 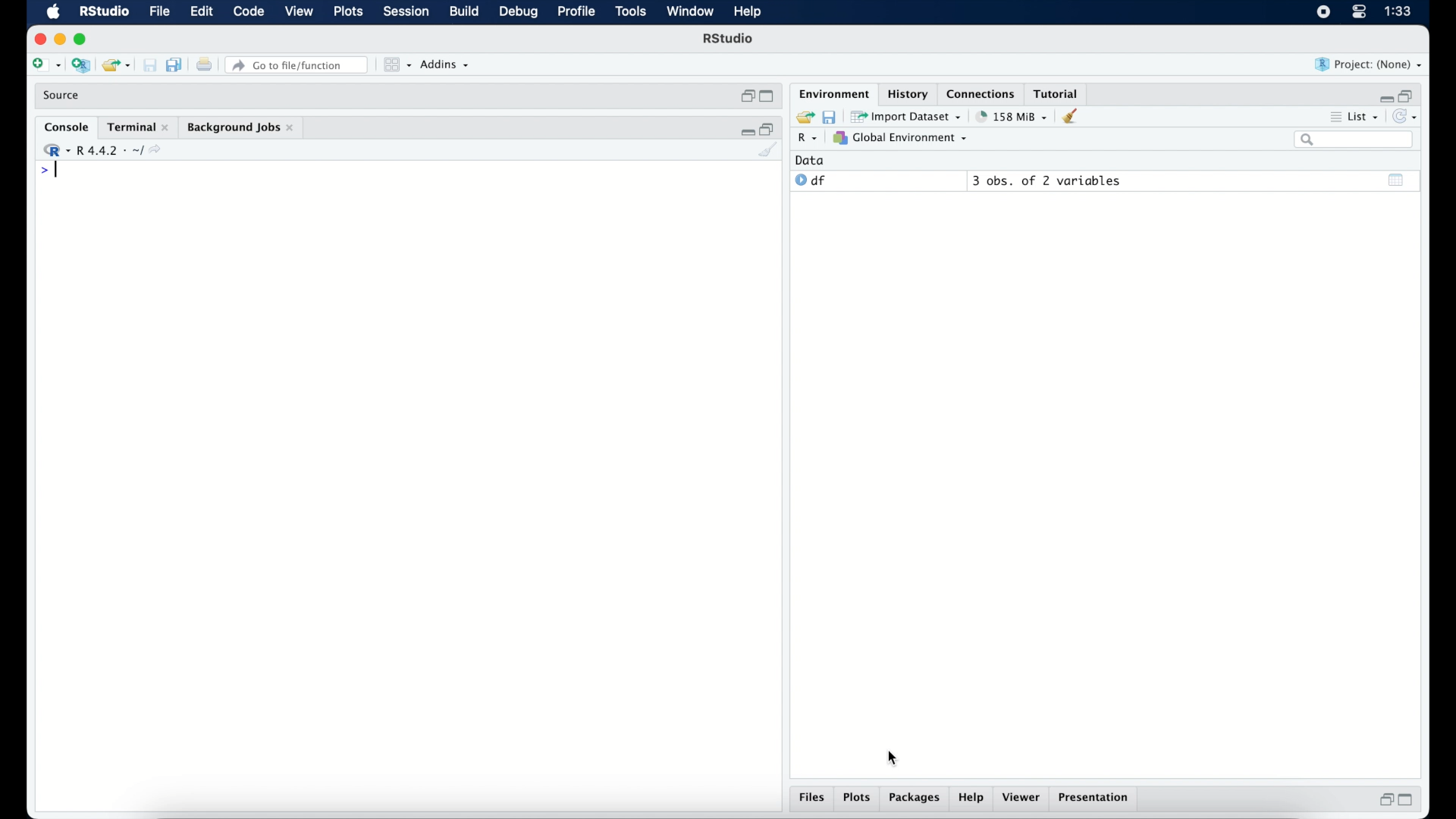 What do you see at coordinates (805, 115) in the screenshot?
I see `load workspace` at bounding box center [805, 115].